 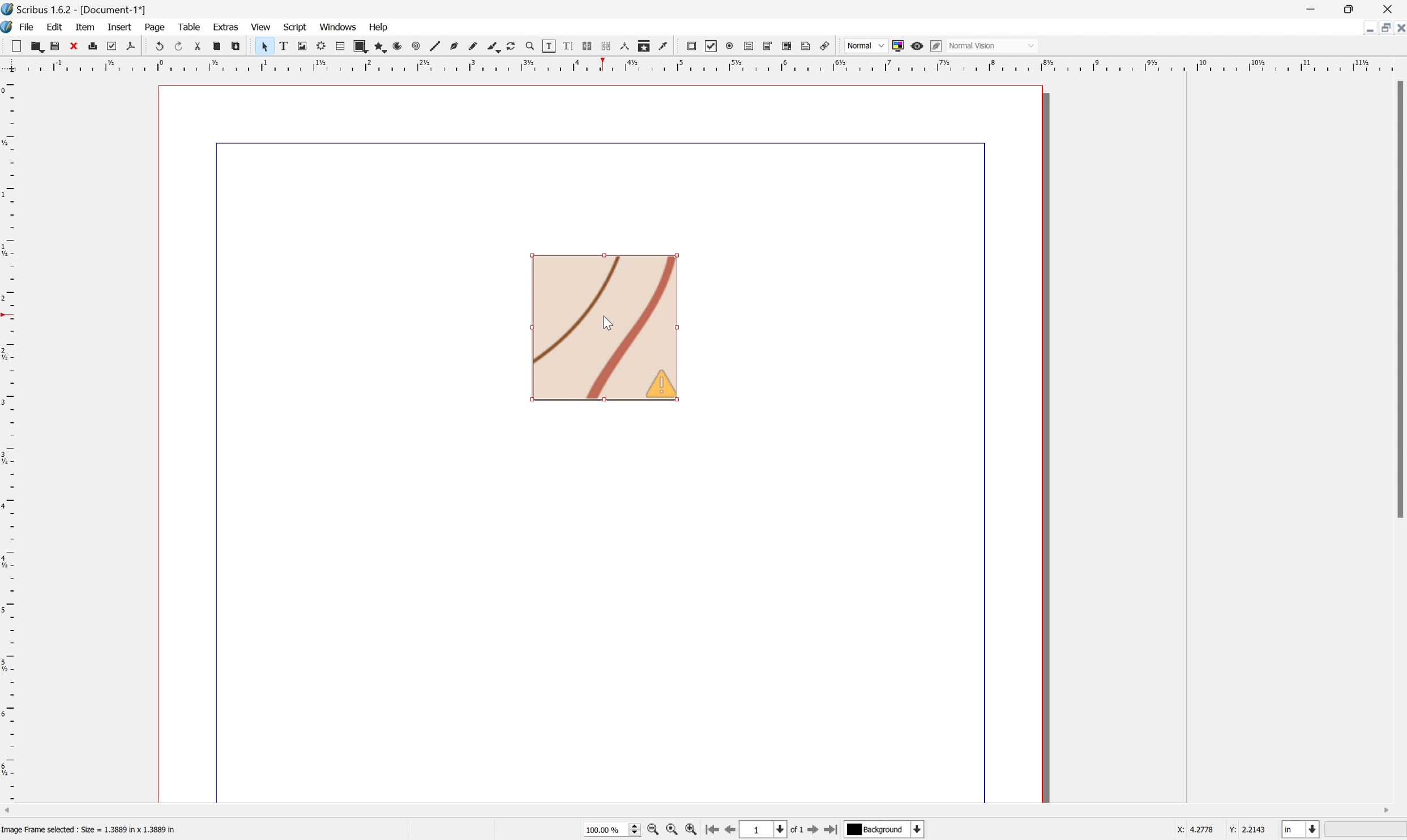 I want to click on Edit, so click(x=53, y=27).